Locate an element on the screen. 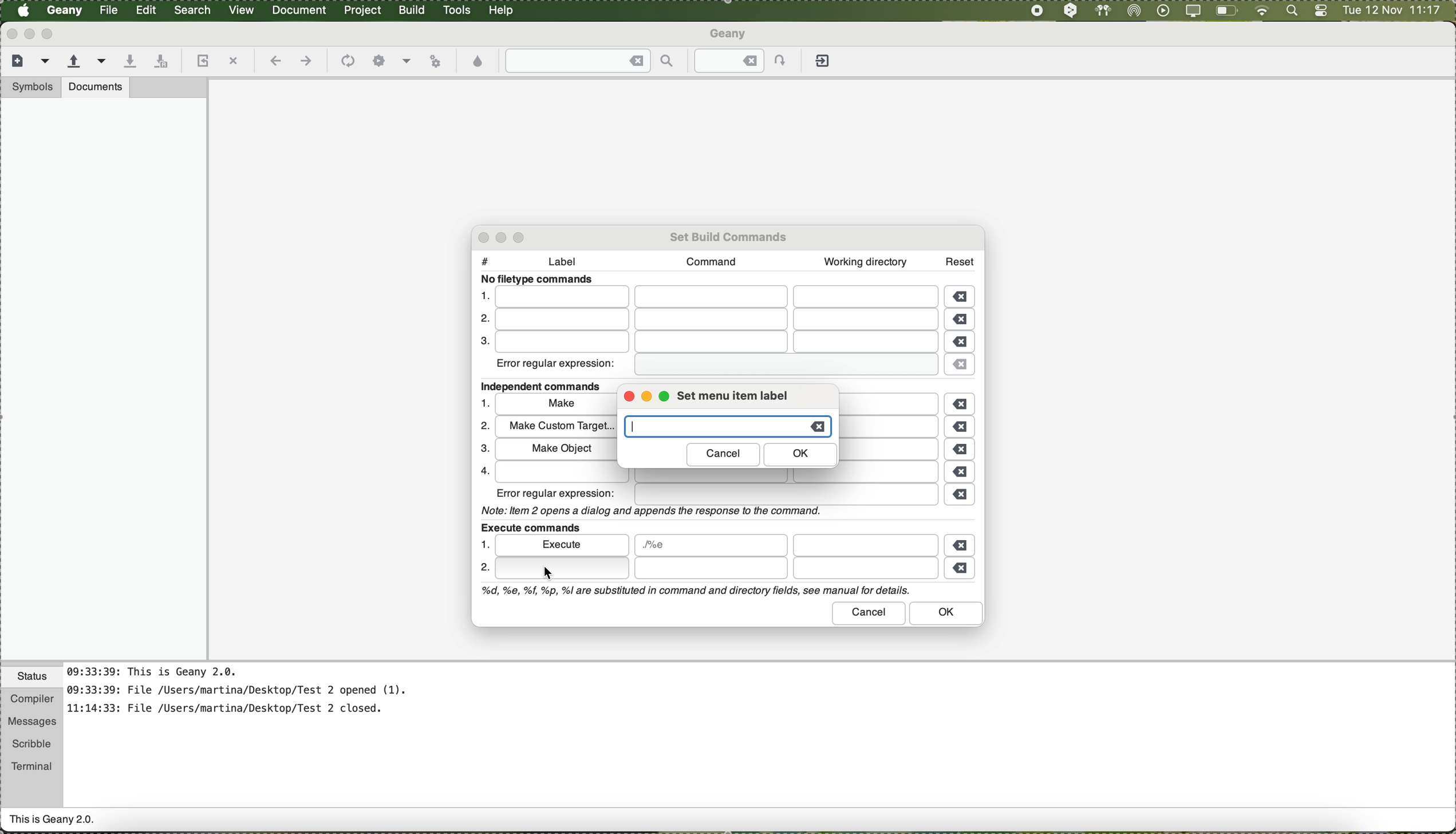  help is located at coordinates (502, 10).